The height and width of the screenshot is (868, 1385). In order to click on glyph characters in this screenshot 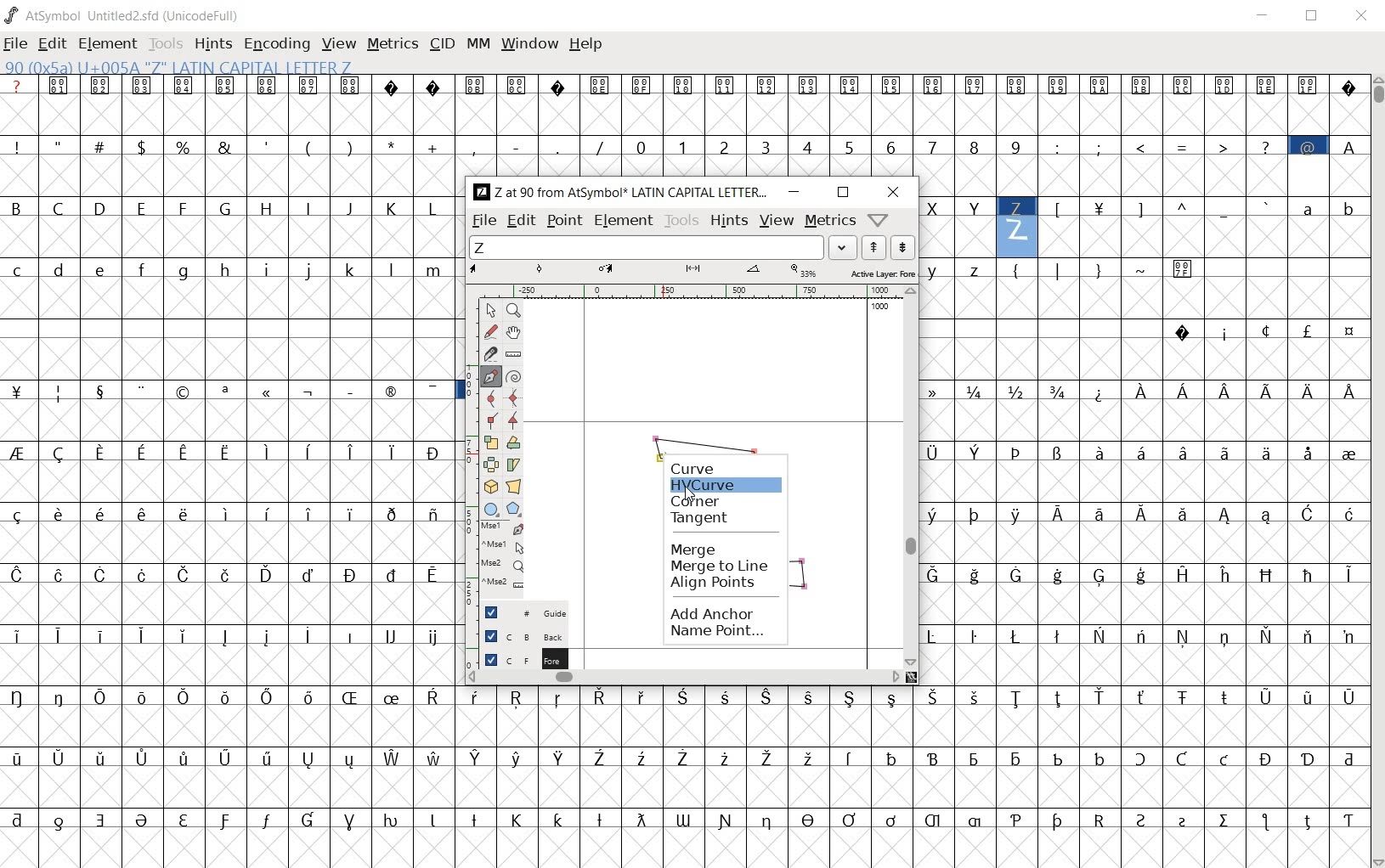, I will do `click(930, 125)`.